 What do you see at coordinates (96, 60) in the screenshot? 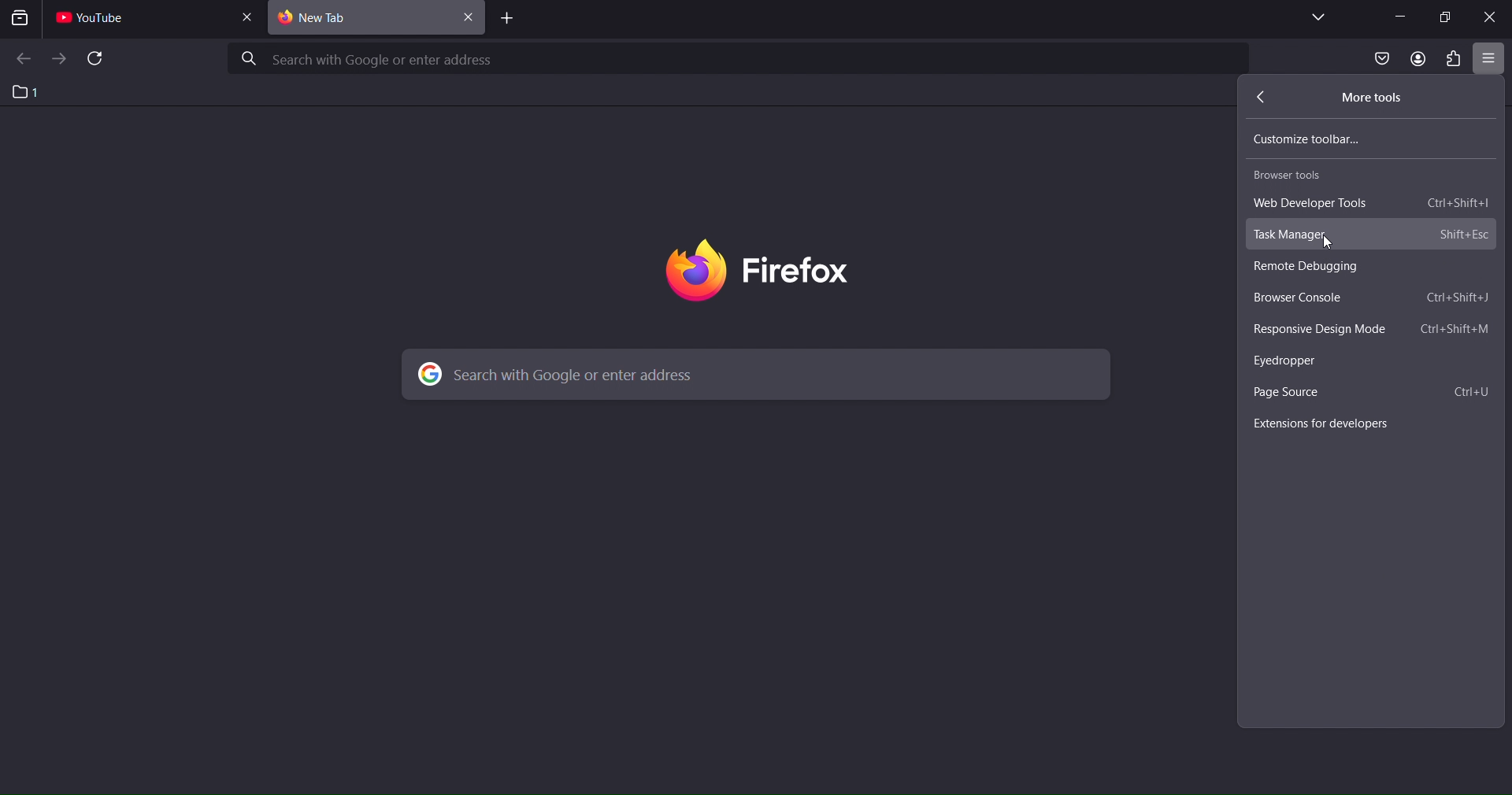
I see `reload current page` at bounding box center [96, 60].